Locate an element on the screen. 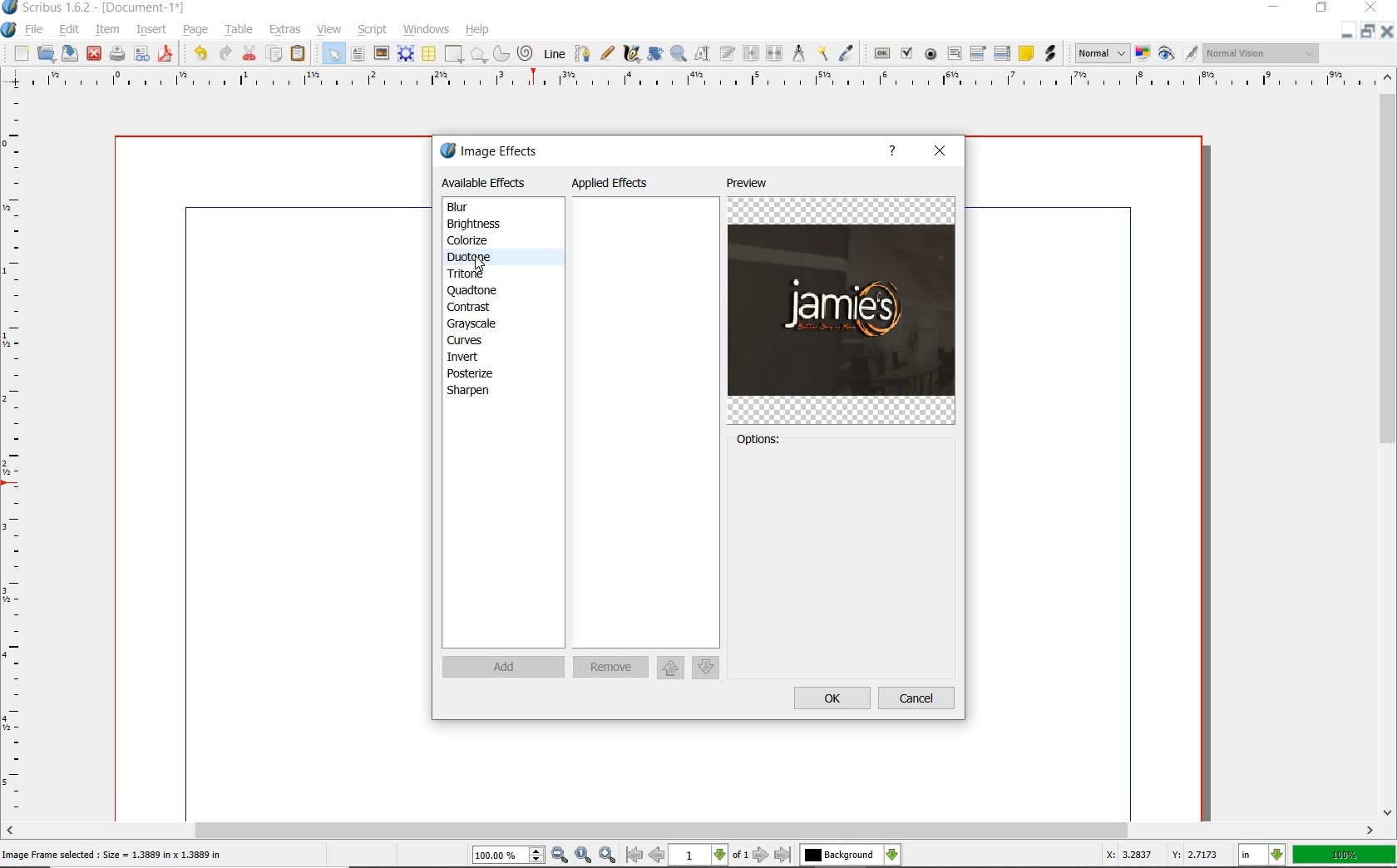 The image size is (1397, 868). zoom in or zoom out is located at coordinates (679, 53).